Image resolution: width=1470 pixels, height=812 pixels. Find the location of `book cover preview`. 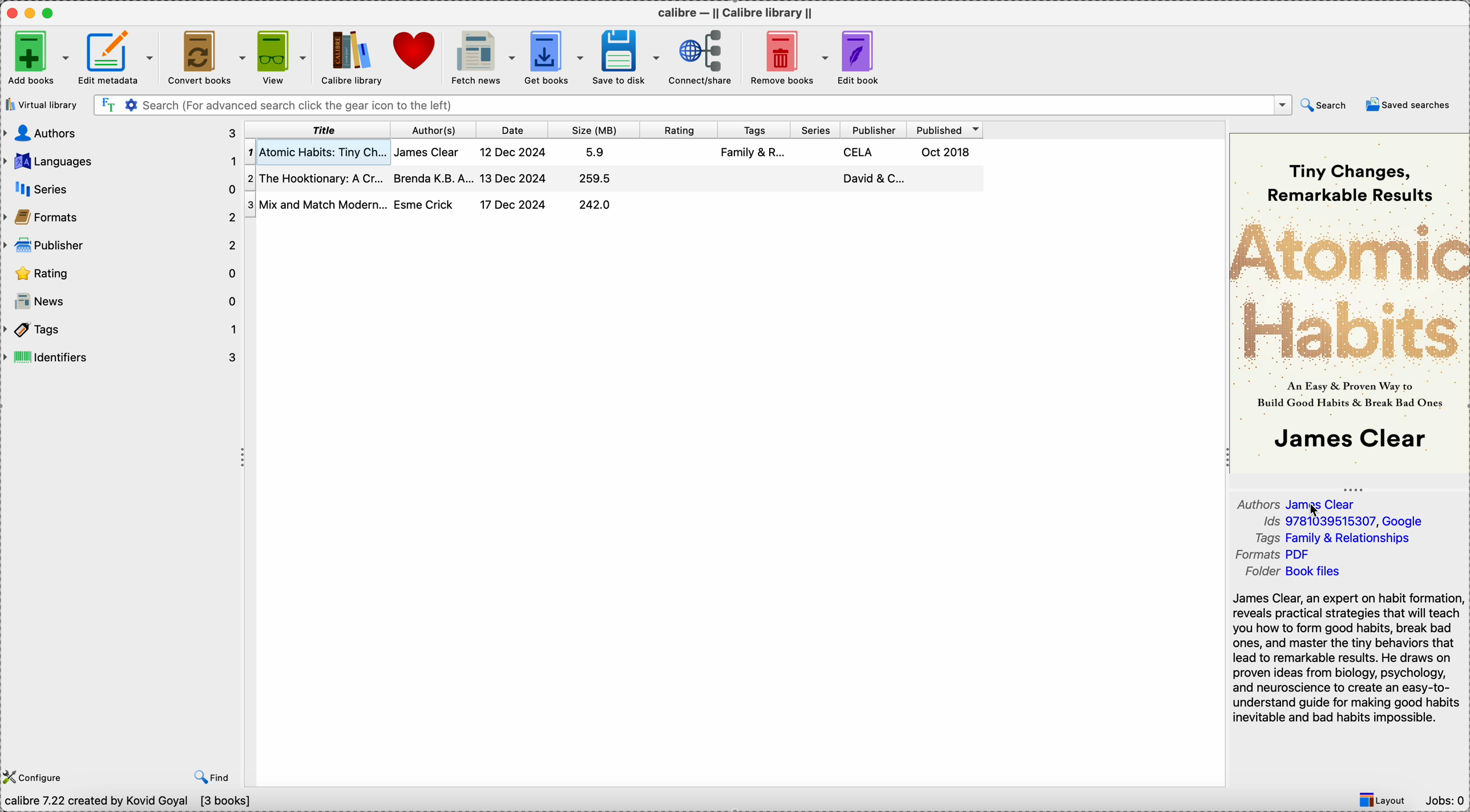

book cover preview is located at coordinates (1348, 302).